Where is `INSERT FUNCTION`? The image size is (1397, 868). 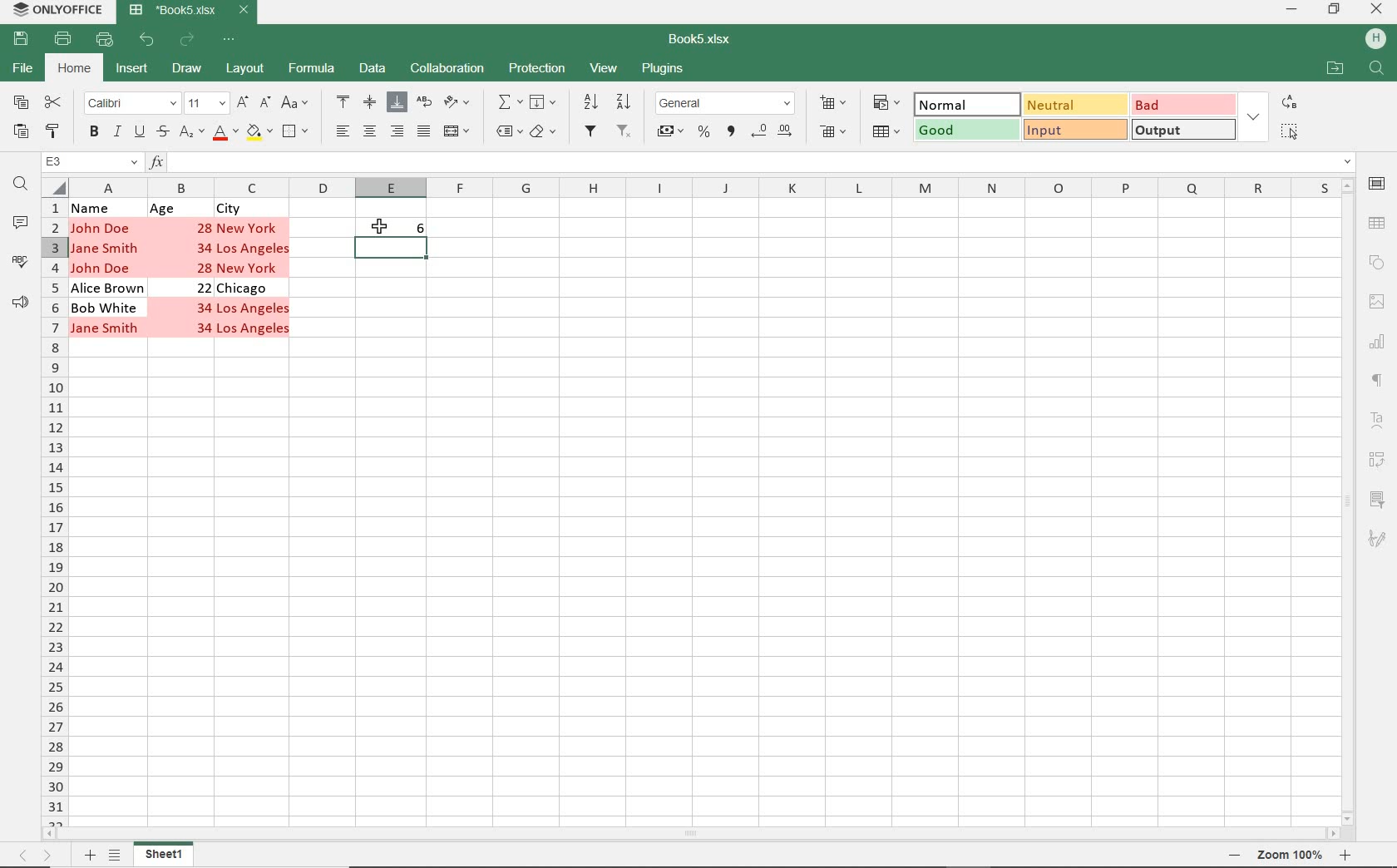 INSERT FUNCTION is located at coordinates (508, 101).